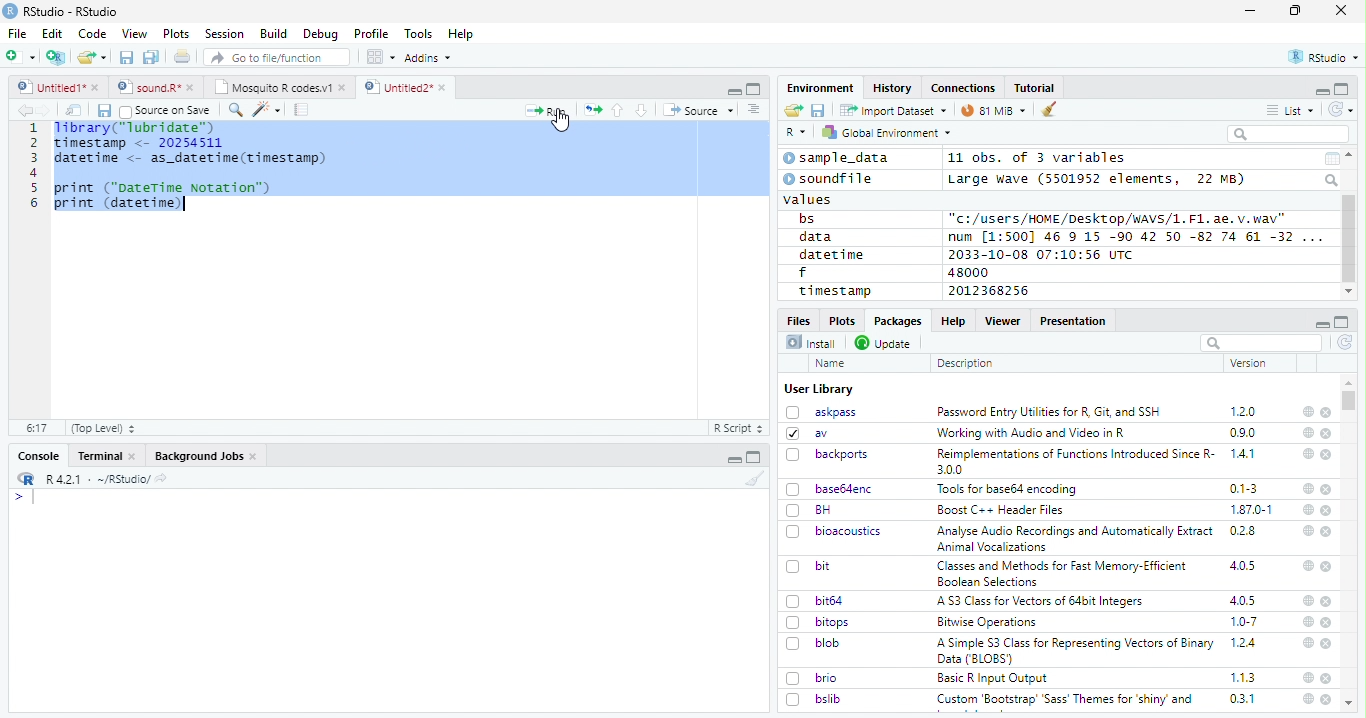 This screenshot has height=718, width=1366. What do you see at coordinates (1326, 699) in the screenshot?
I see `close` at bounding box center [1326, 699].